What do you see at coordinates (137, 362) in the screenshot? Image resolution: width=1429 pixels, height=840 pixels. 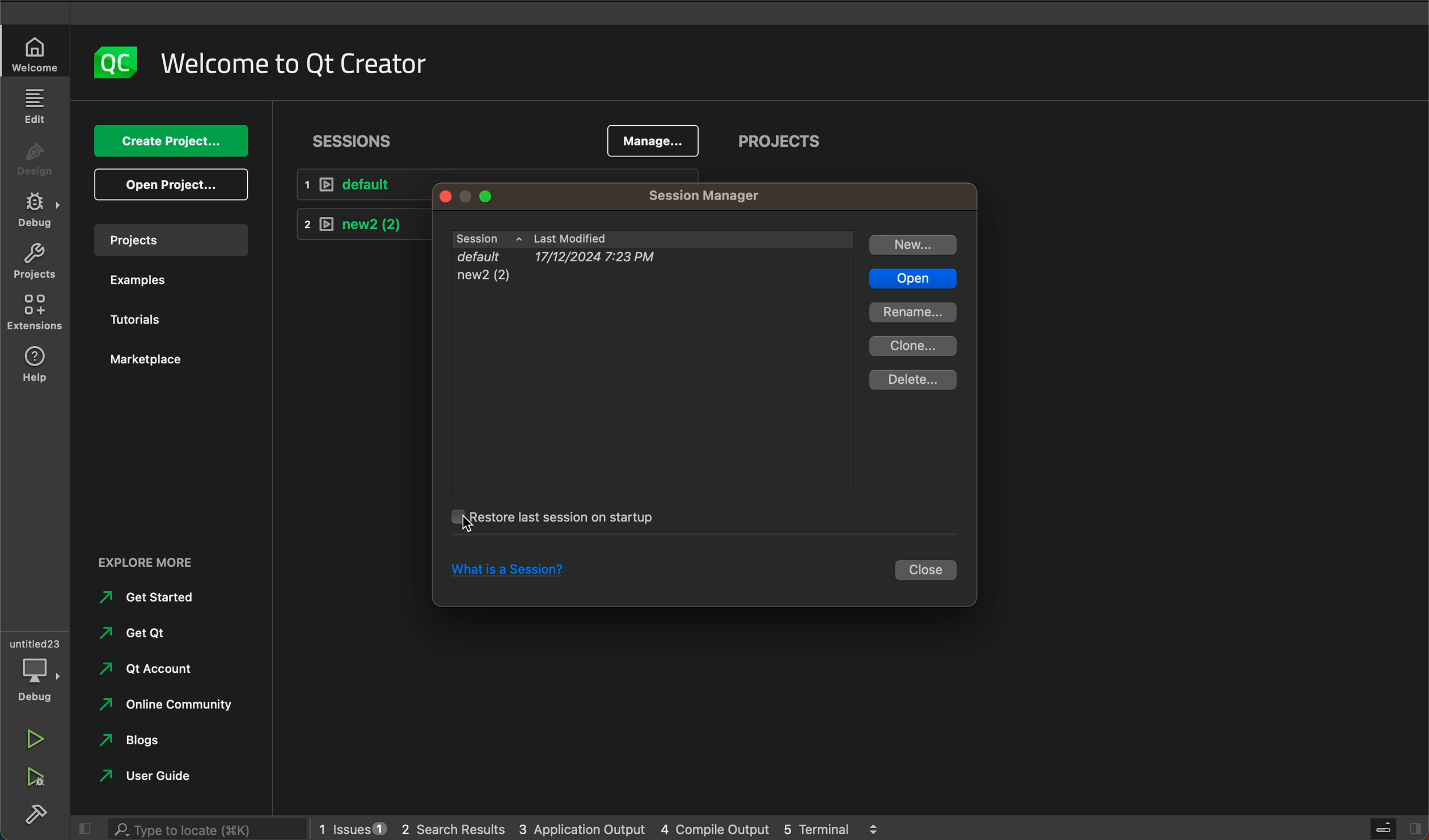 I see `marketplace` at bounding box center [137, 362].